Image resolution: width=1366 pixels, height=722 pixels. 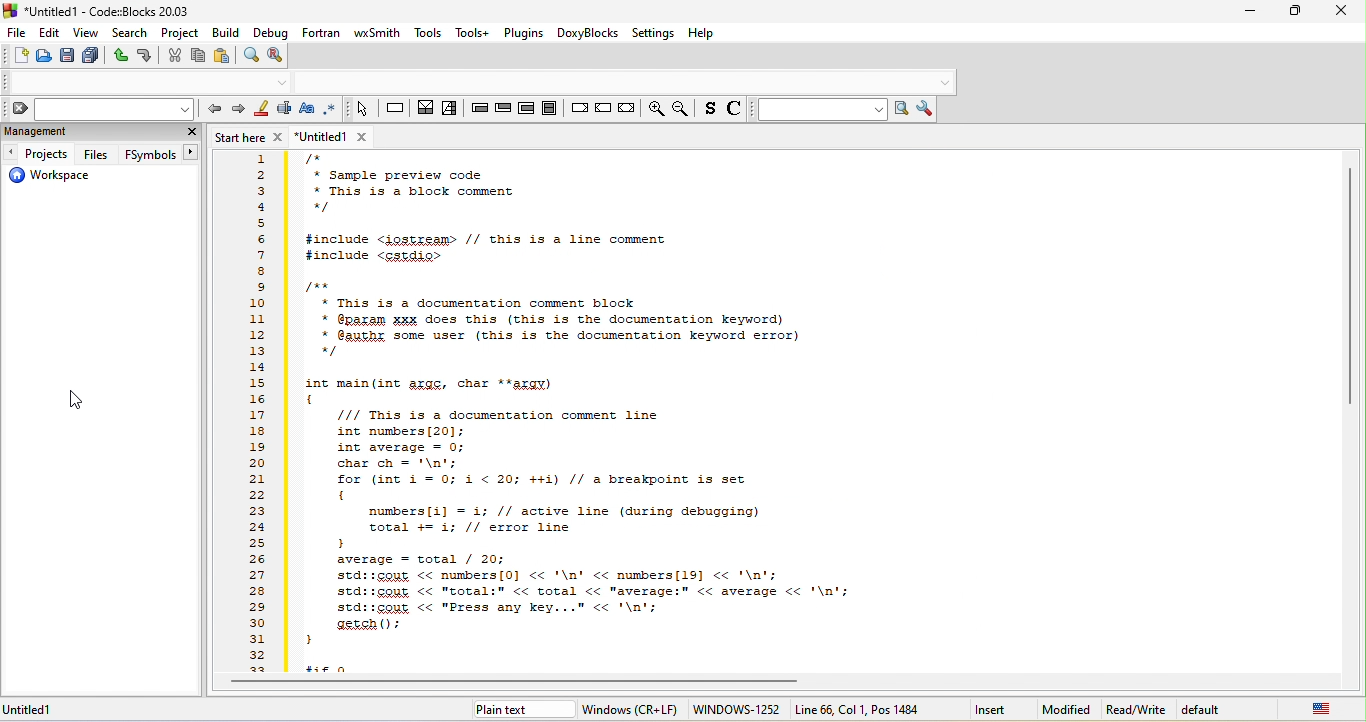 I want to click on management, so click(x=85, y=133).